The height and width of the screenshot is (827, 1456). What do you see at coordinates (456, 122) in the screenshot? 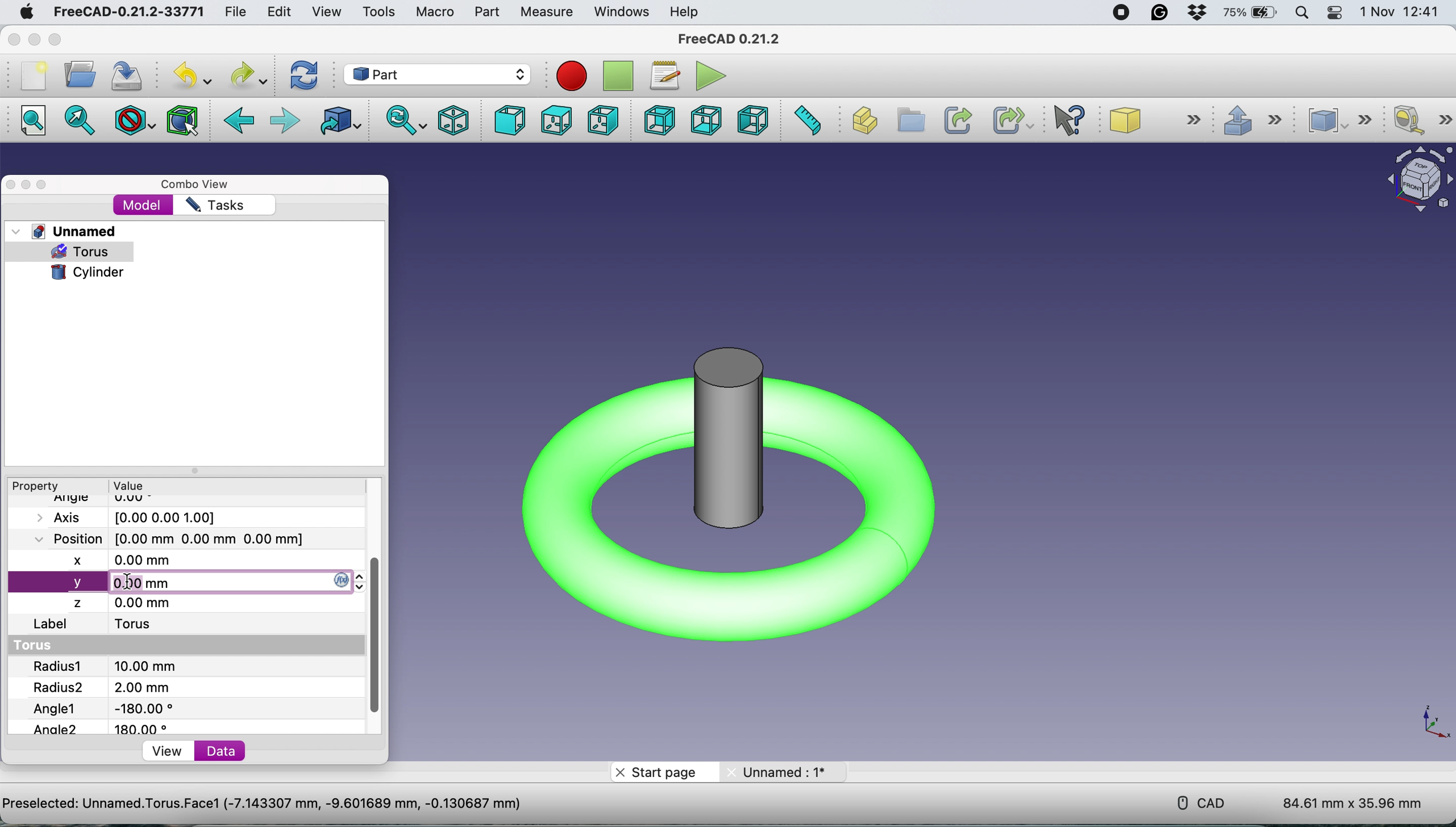
I see `isometric` at bounding box center [456, 122].